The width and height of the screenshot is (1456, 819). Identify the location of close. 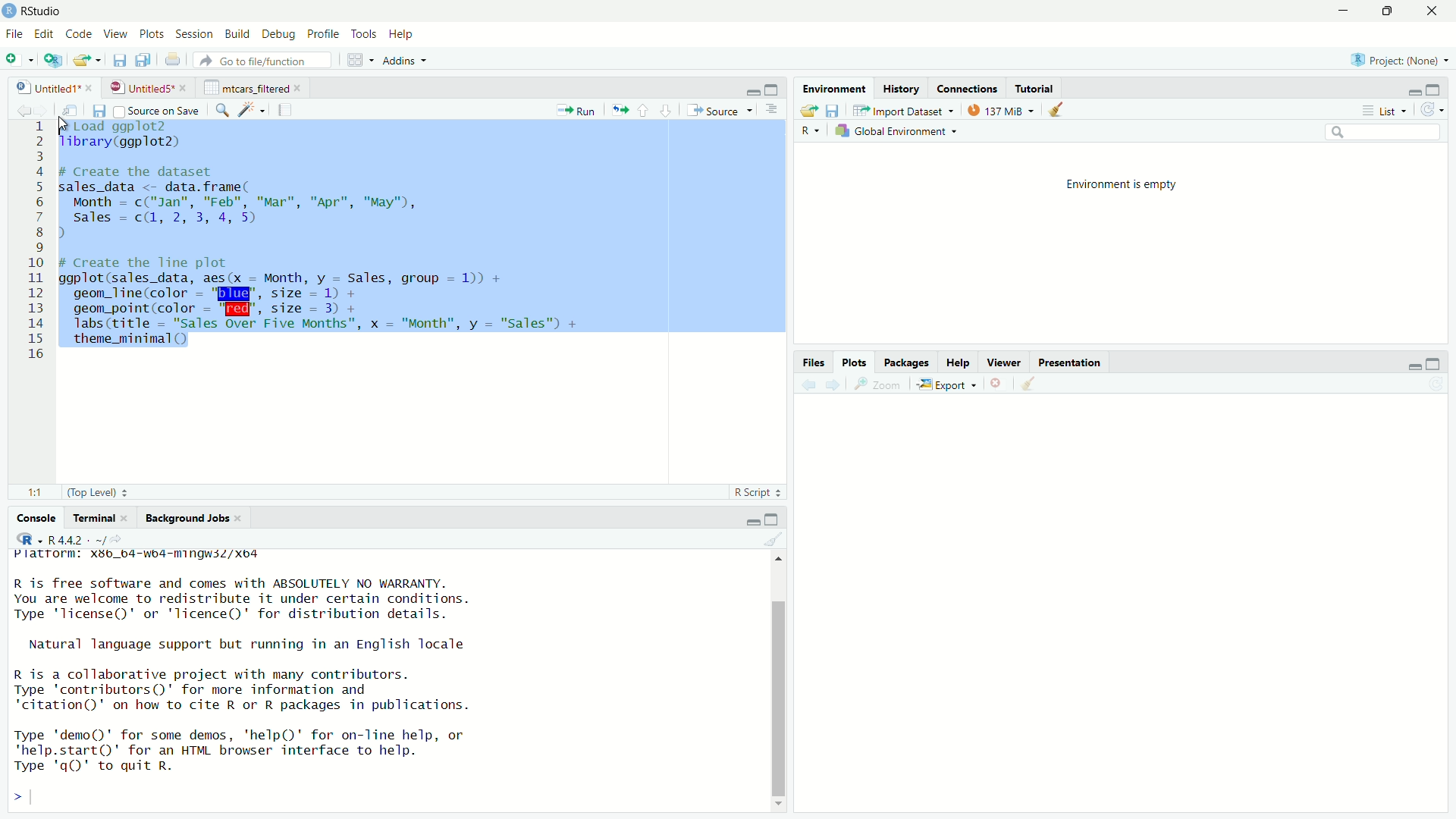
(240, 518).